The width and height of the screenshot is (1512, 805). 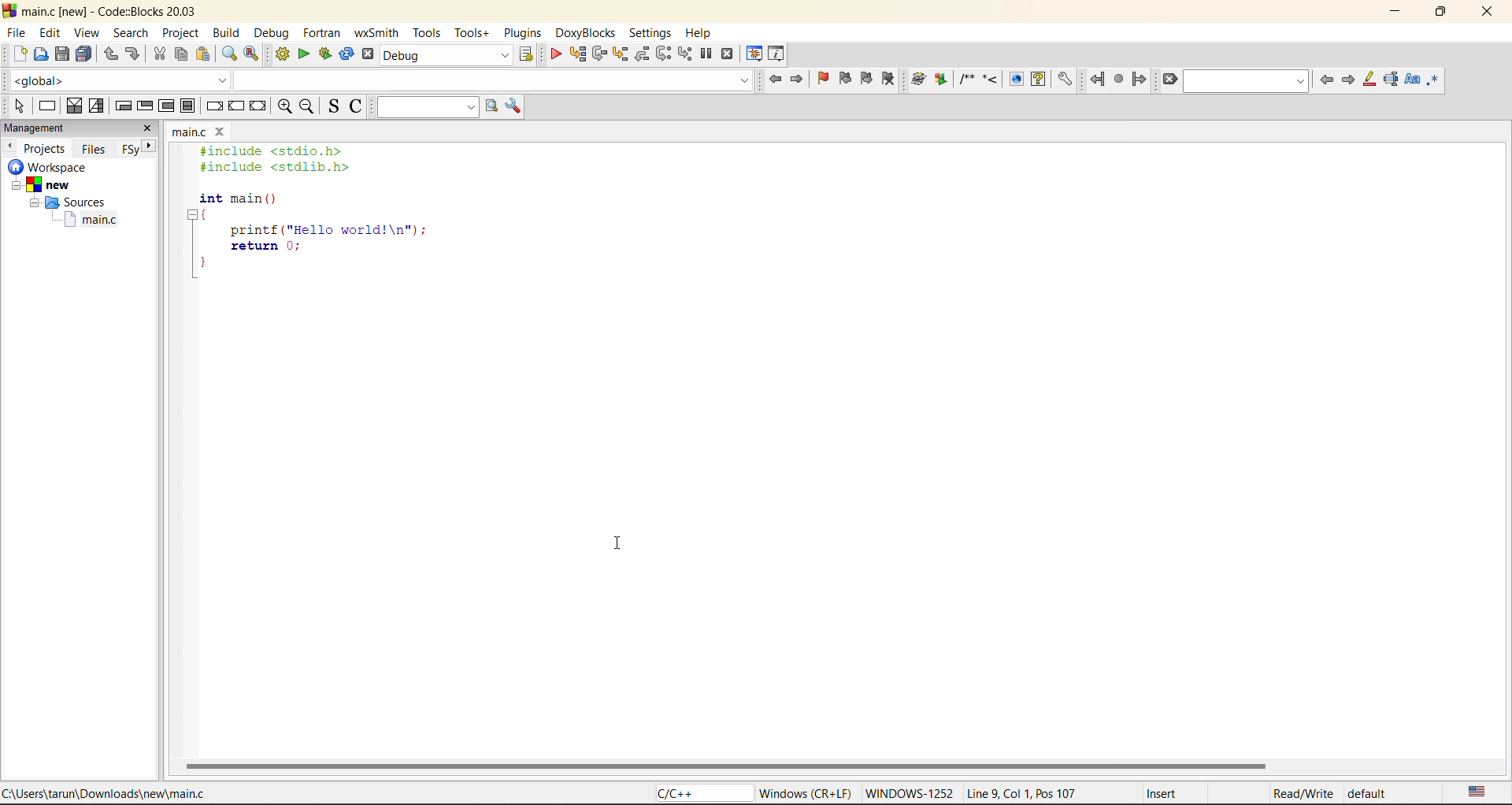 What do you see at coordinates (599, 53) in the screenshot?
I see `next line` at bounding box center [599, 53].